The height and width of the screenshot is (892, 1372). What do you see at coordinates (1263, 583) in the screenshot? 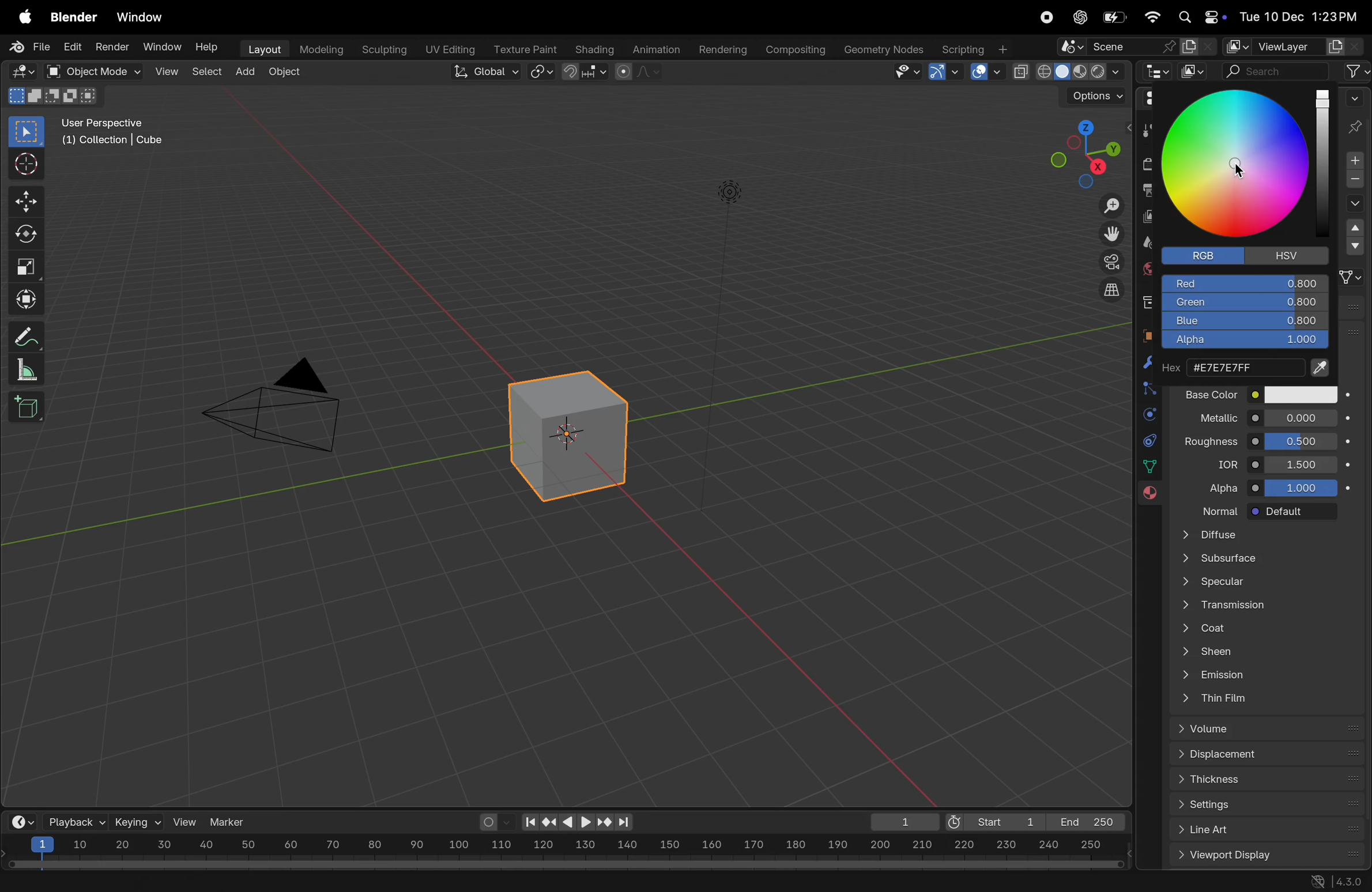
I see `specular` at bounding box center [1263, 583].